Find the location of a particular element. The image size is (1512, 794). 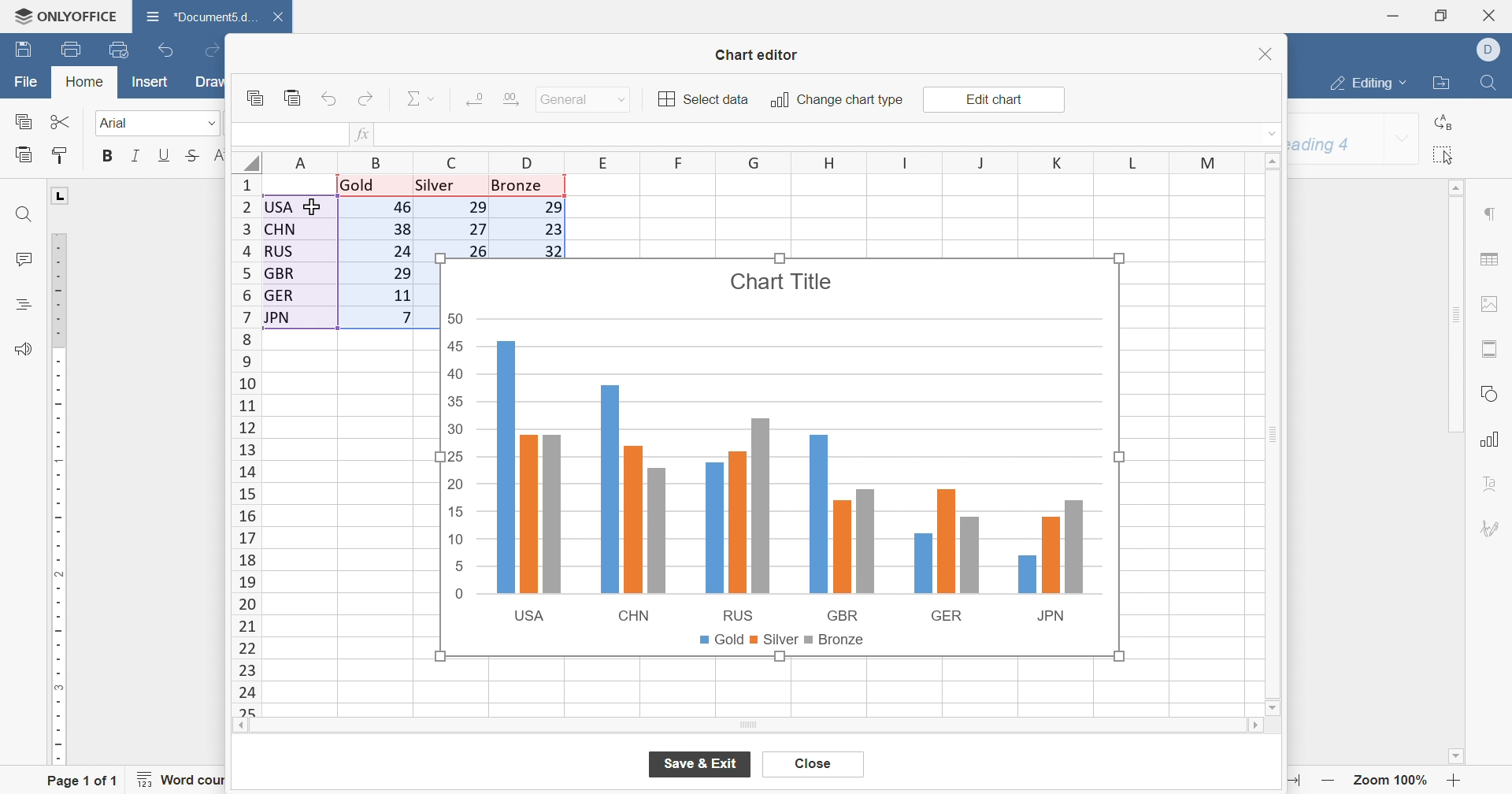

feedback & support is located at coordinates (24, 350).